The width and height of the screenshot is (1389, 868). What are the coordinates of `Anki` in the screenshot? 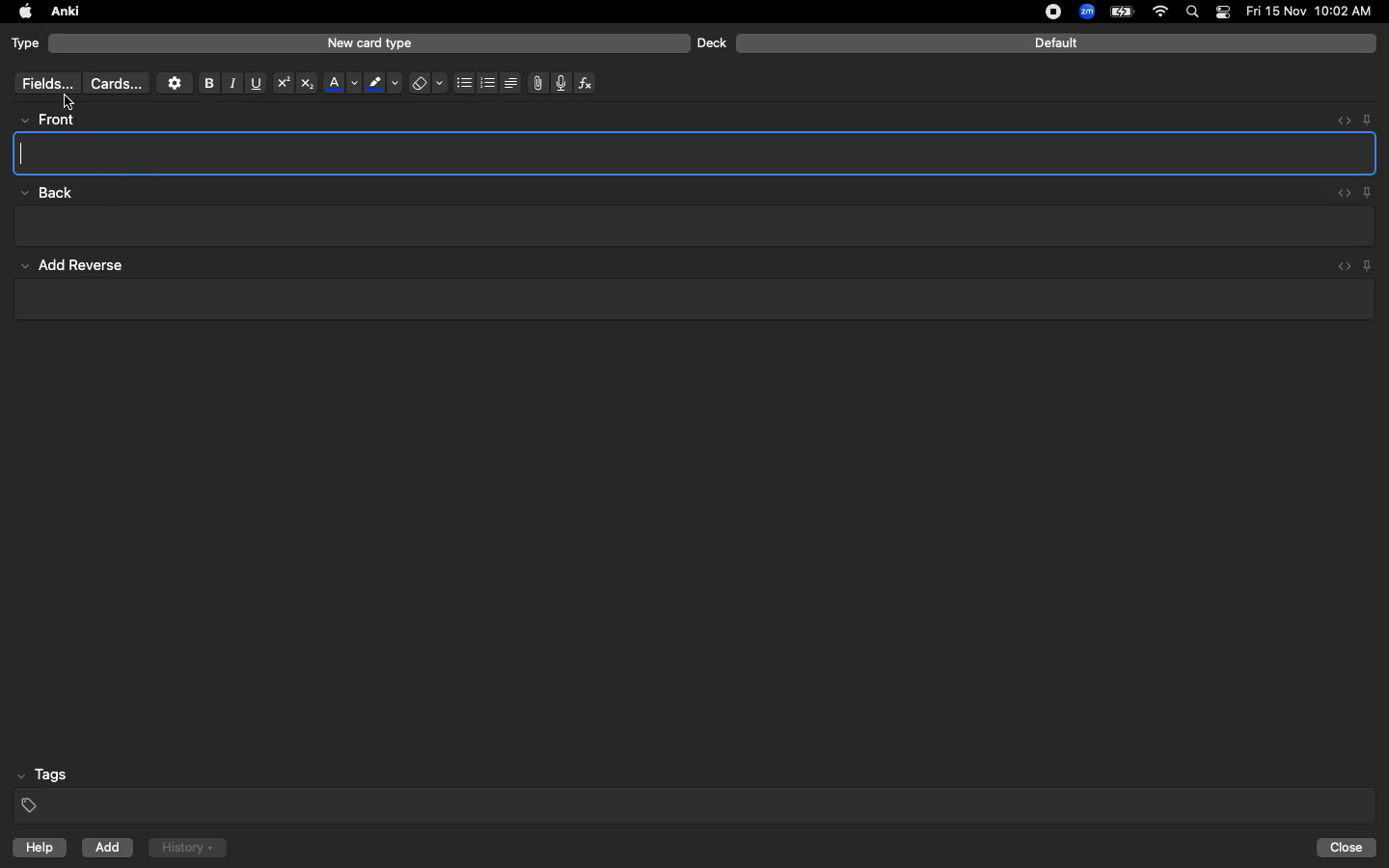 It's located at (64, 13).